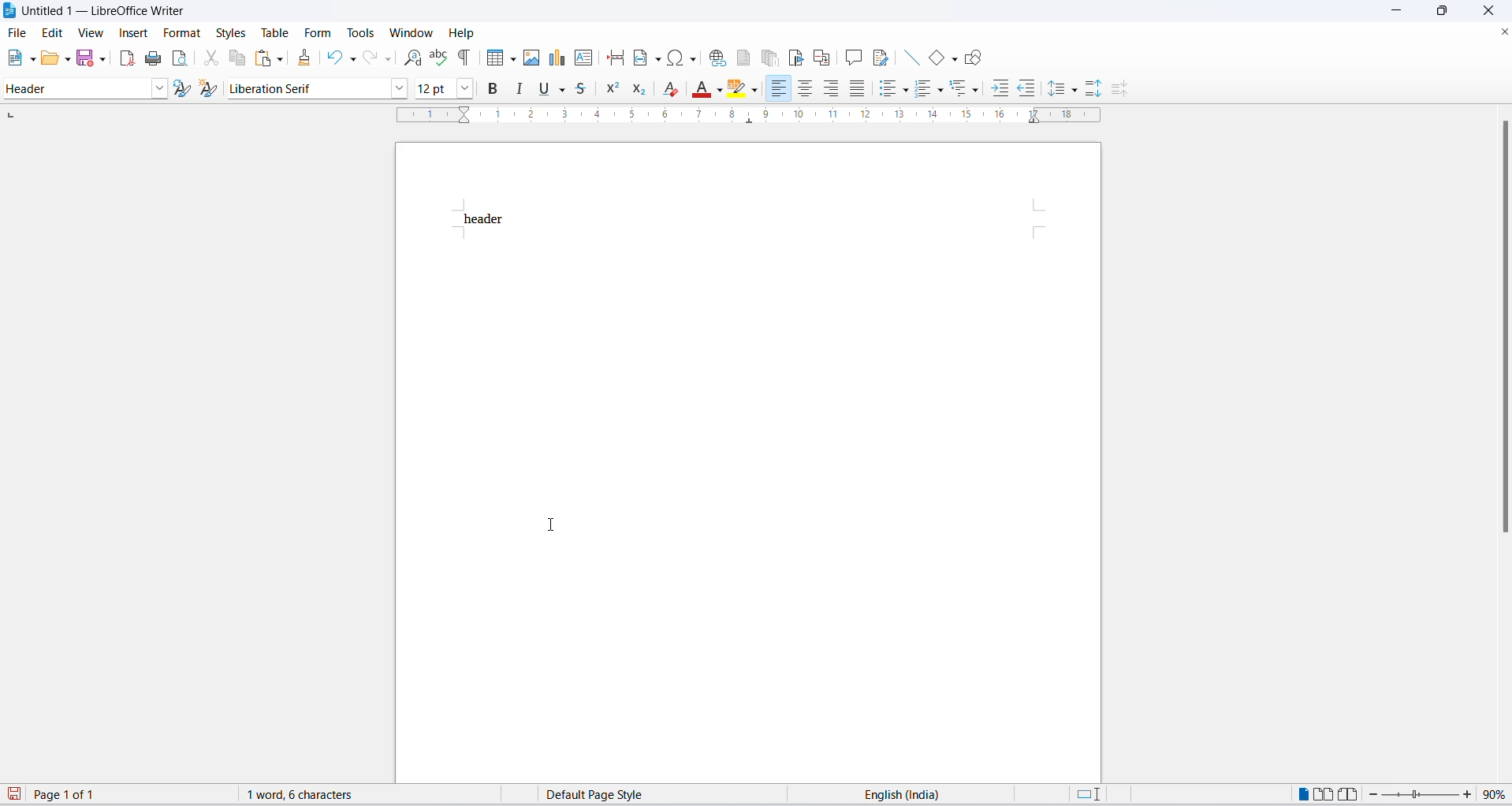  What do you see at coordinates (402, 88) in the screenshot?
I see `font name options` at bounding box center [402, 88].